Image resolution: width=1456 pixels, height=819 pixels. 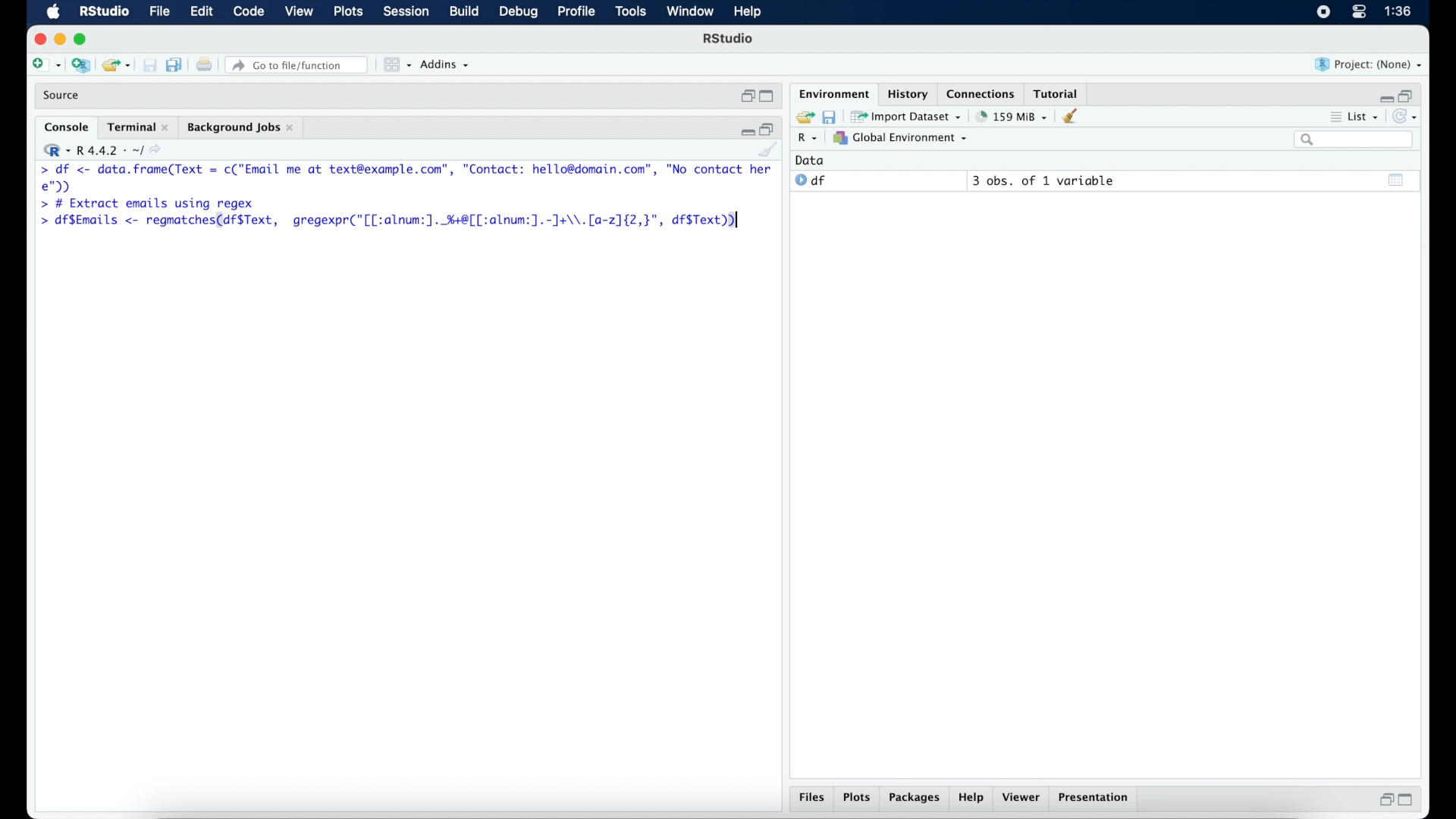 I want to click on help, so click(x=972, y=799).